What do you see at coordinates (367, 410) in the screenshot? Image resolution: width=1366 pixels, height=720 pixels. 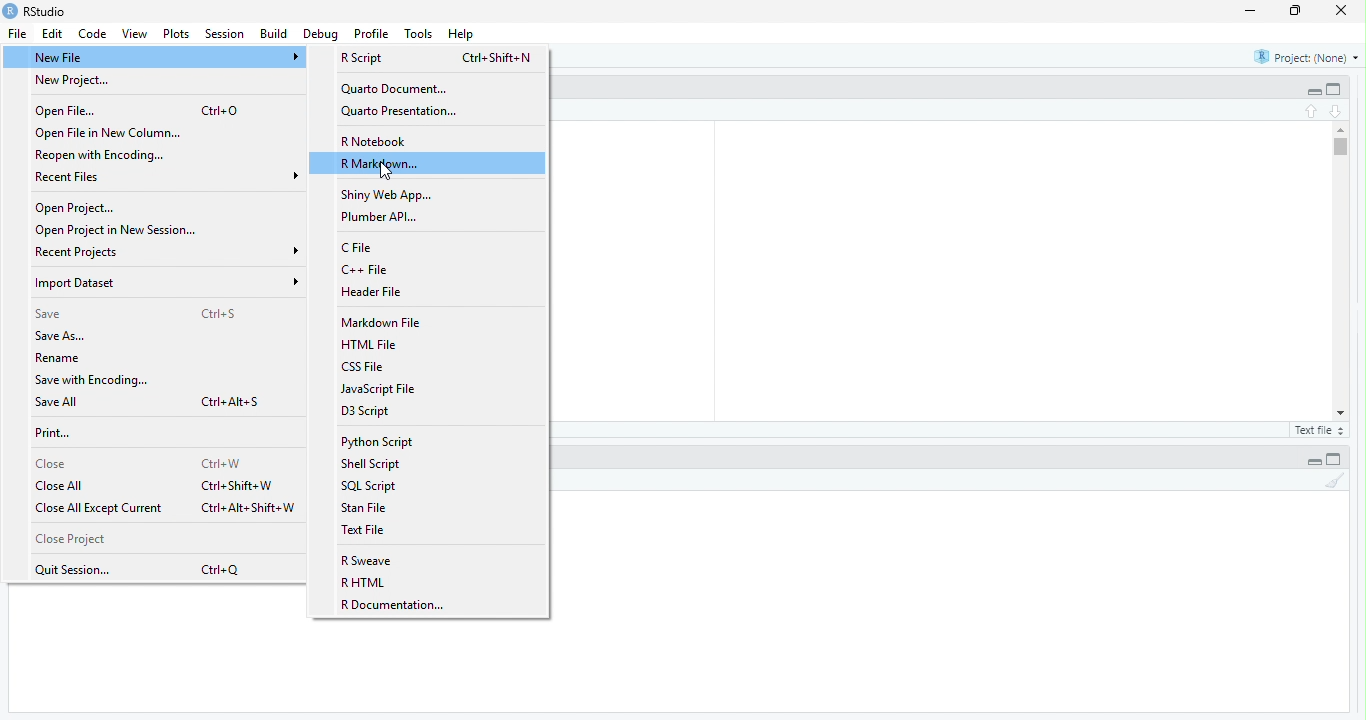 I see `D3 Script` at bounding box center [367, 410].